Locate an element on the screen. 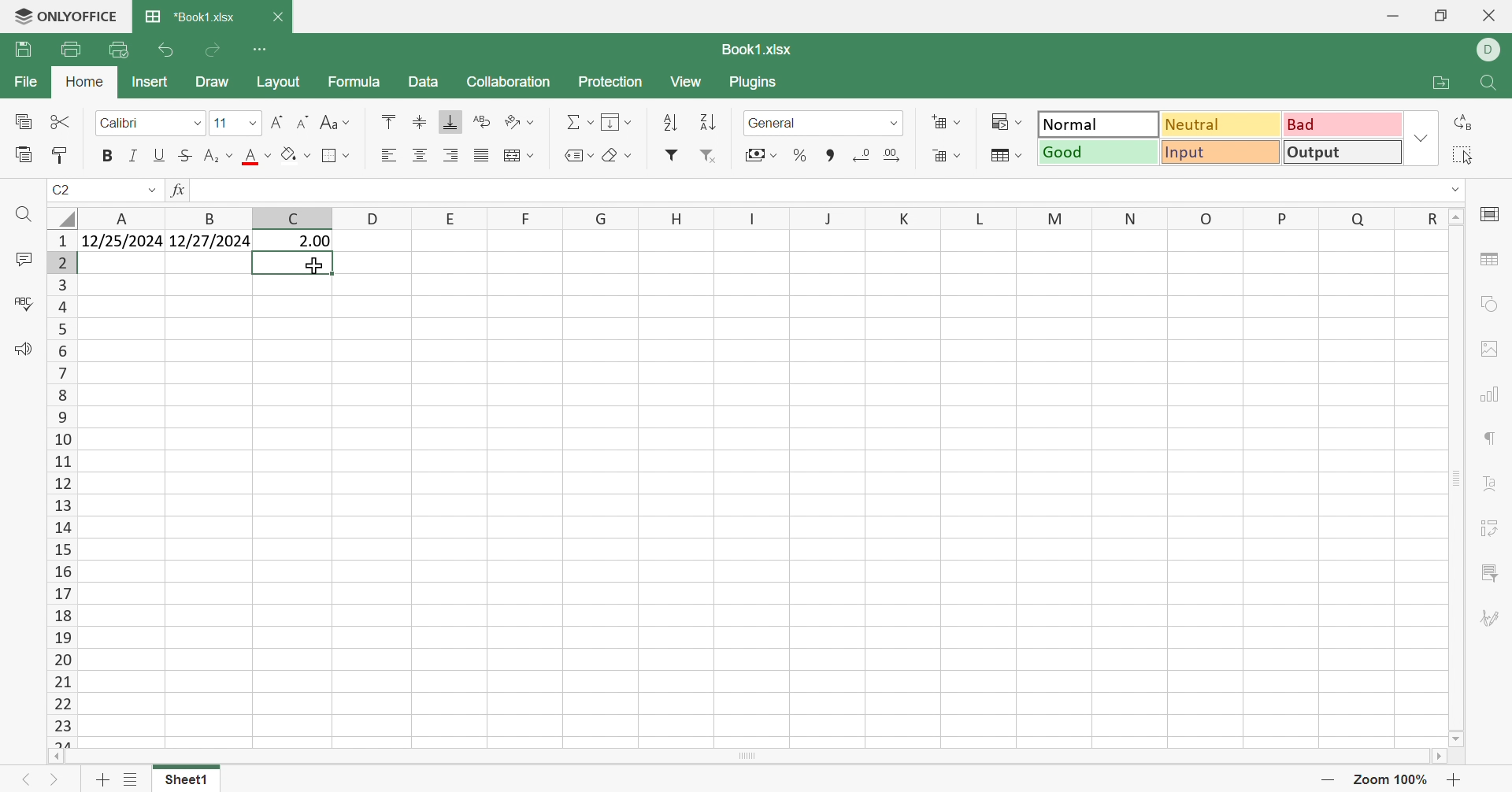  View is located at coordinates (684, 83).